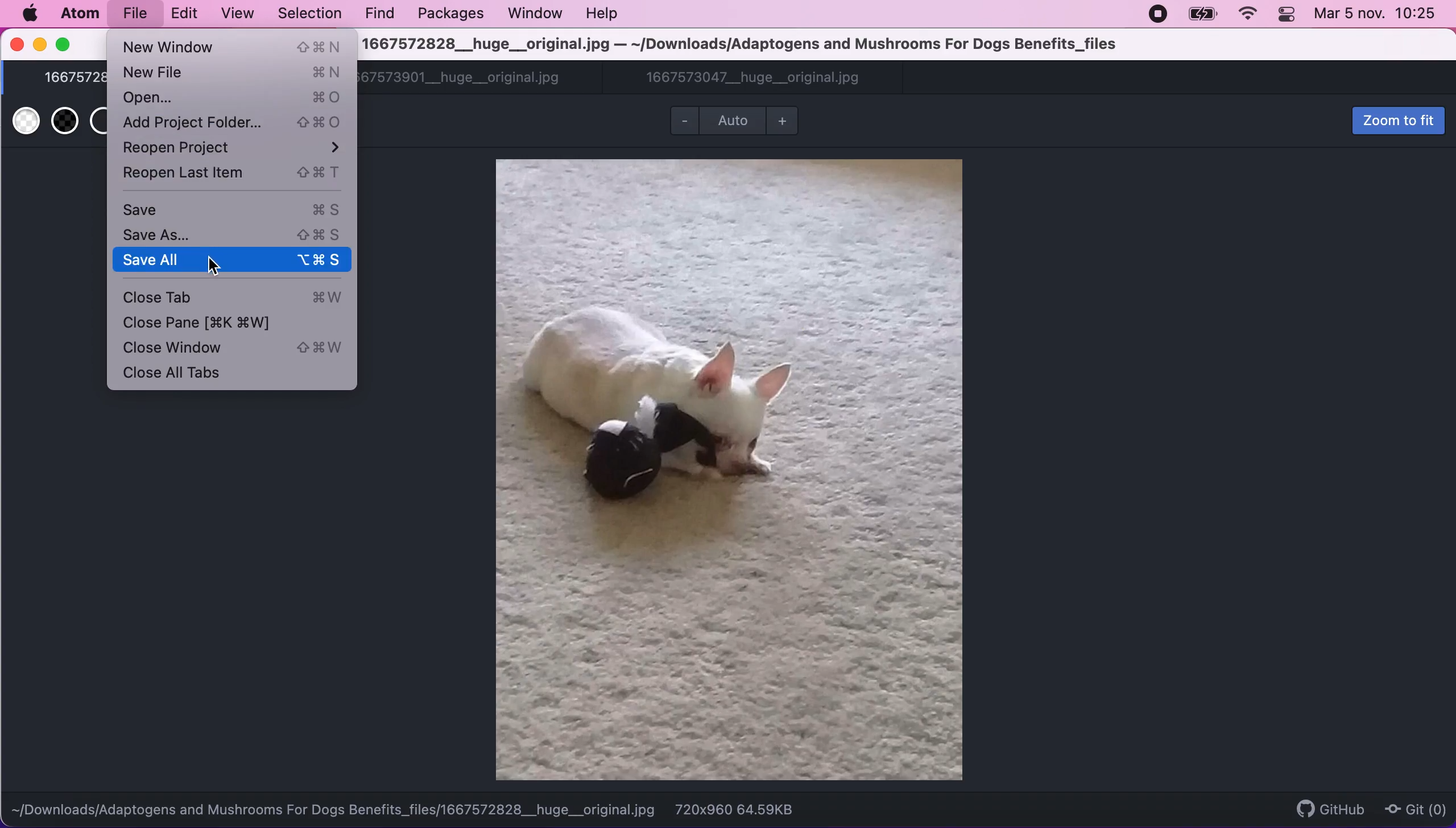  I want to click on view, so click(239, 15).